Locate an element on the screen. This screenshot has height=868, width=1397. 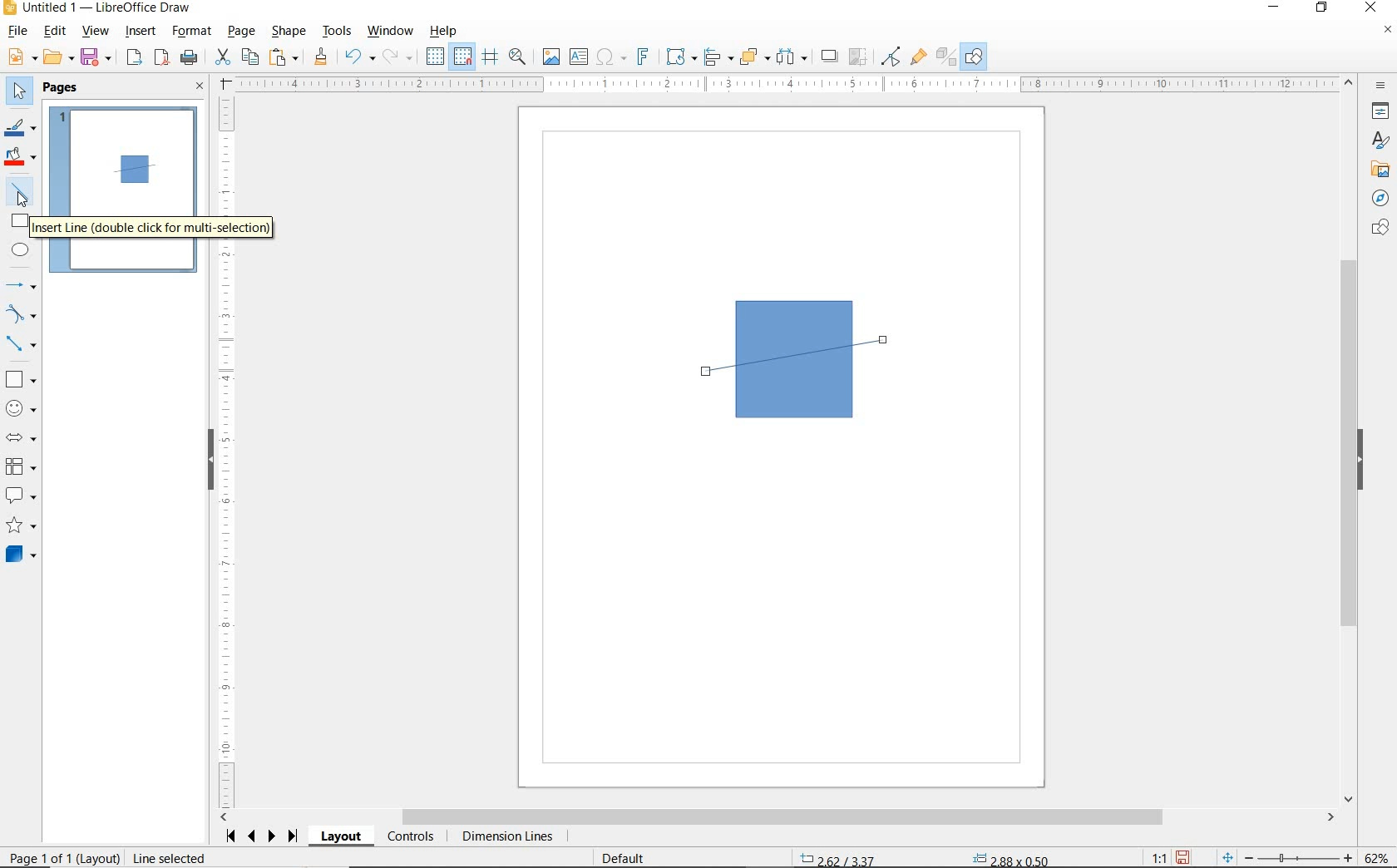
LINE is located at coordinates (811, 357).